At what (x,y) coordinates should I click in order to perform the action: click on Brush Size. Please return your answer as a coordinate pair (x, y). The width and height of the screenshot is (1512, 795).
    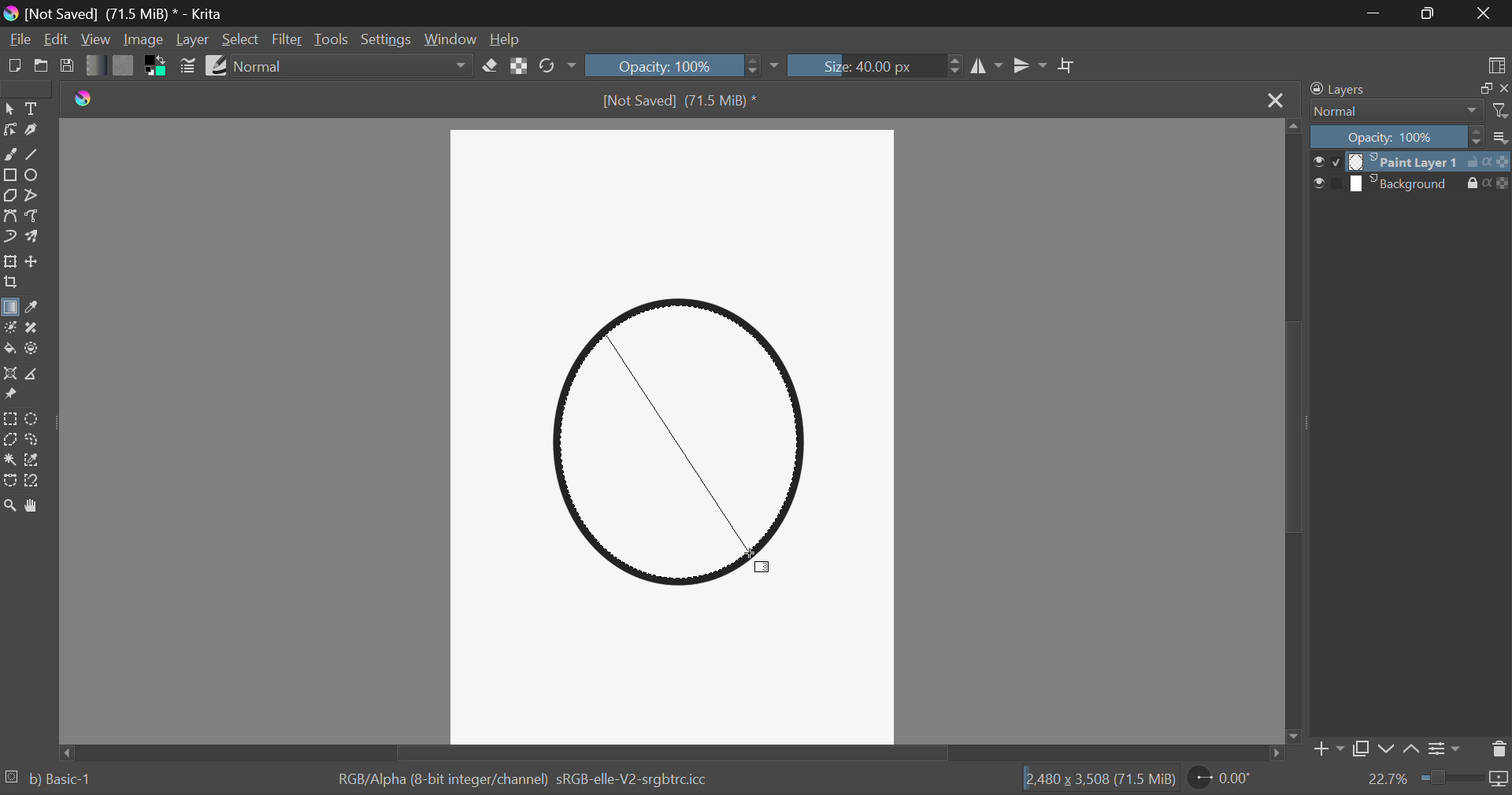
    Looking at the image, I should click on (878, 65).